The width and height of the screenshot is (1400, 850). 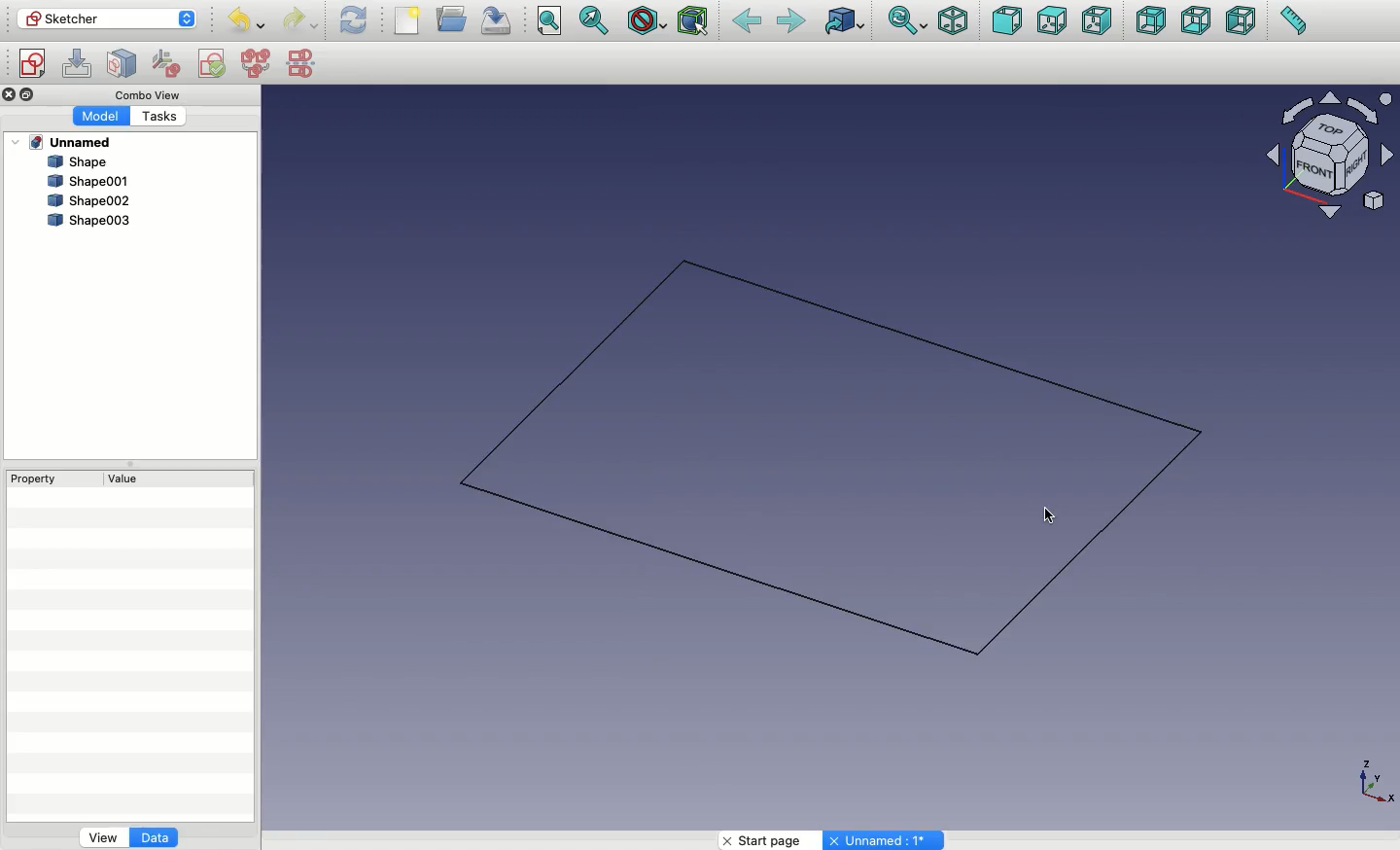 I want to click on Shape002, so click(x=84, y=202).